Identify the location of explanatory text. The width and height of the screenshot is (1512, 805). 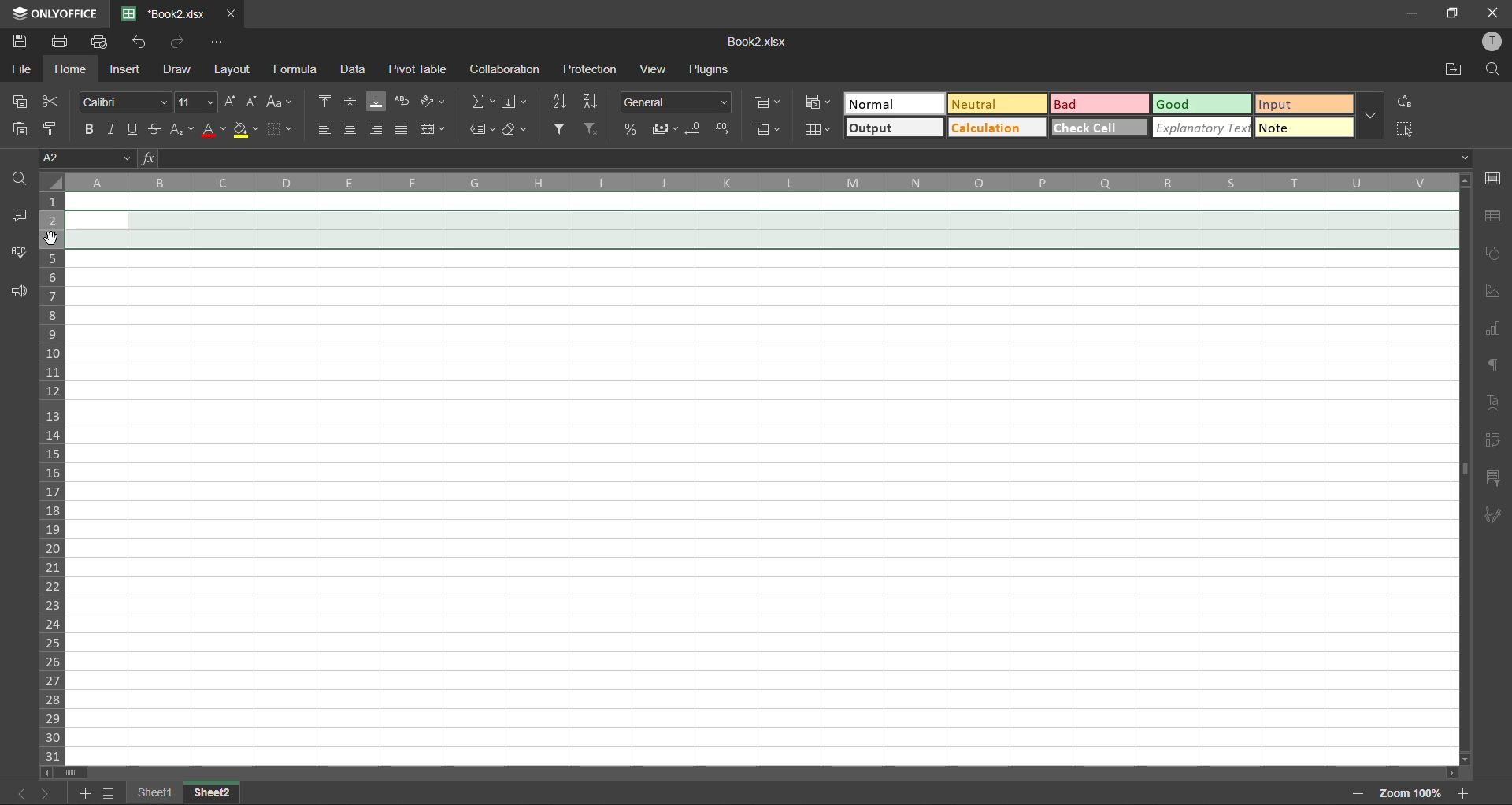
(1202, 129).